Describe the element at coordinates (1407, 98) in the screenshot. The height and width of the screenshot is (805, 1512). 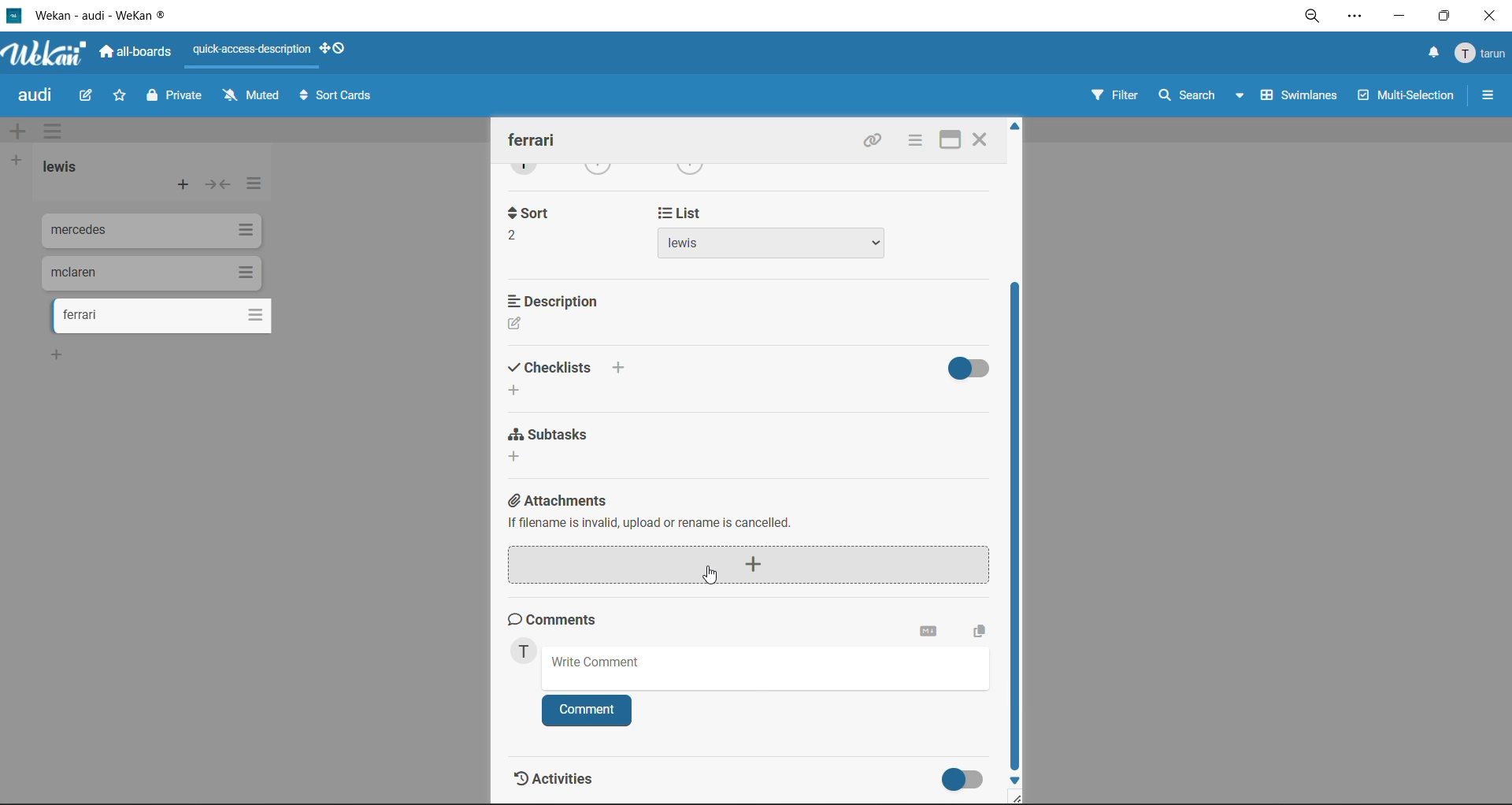
I see `multiselection` at that location.